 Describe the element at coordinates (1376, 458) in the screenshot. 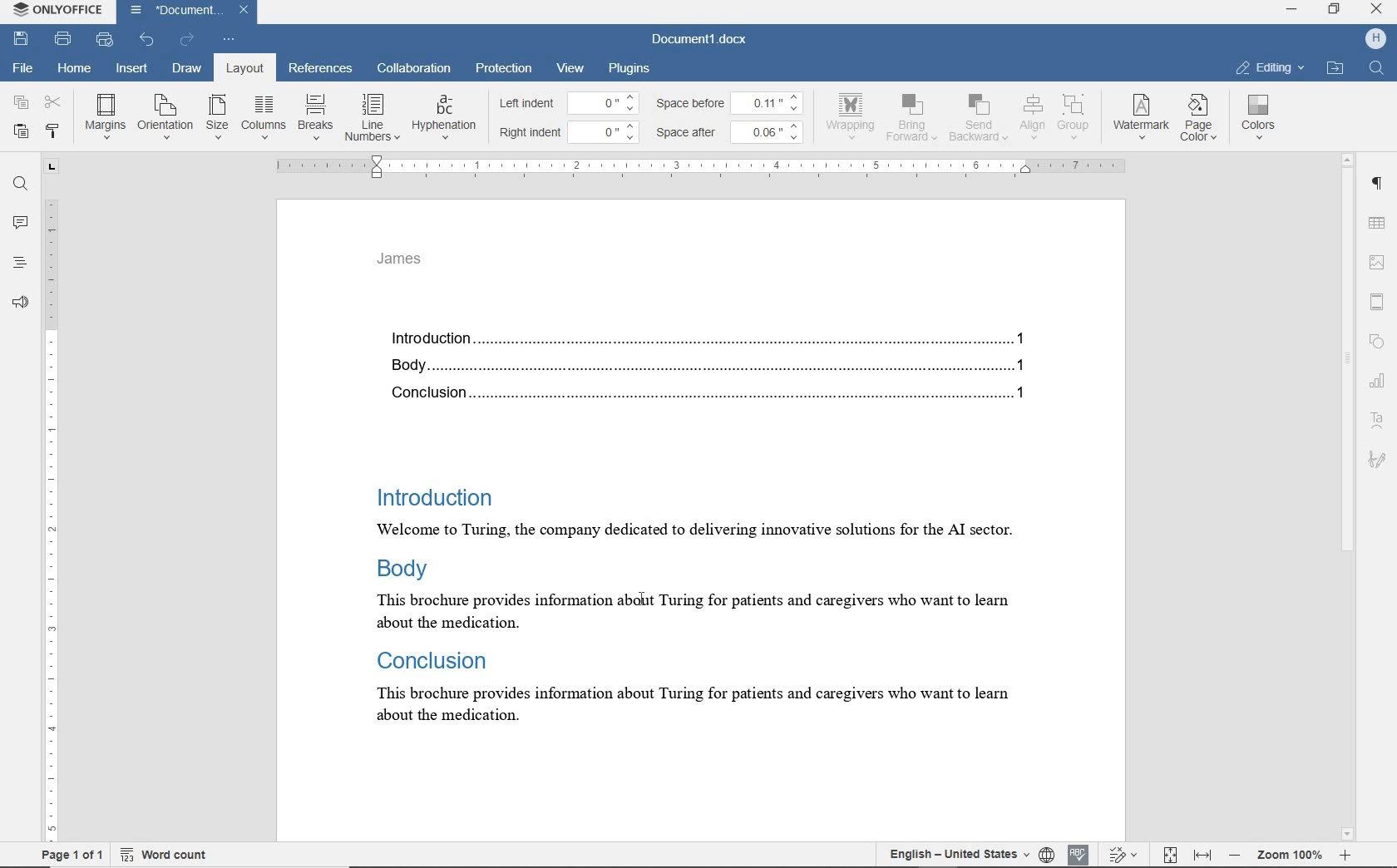

I see `signature` at that location.